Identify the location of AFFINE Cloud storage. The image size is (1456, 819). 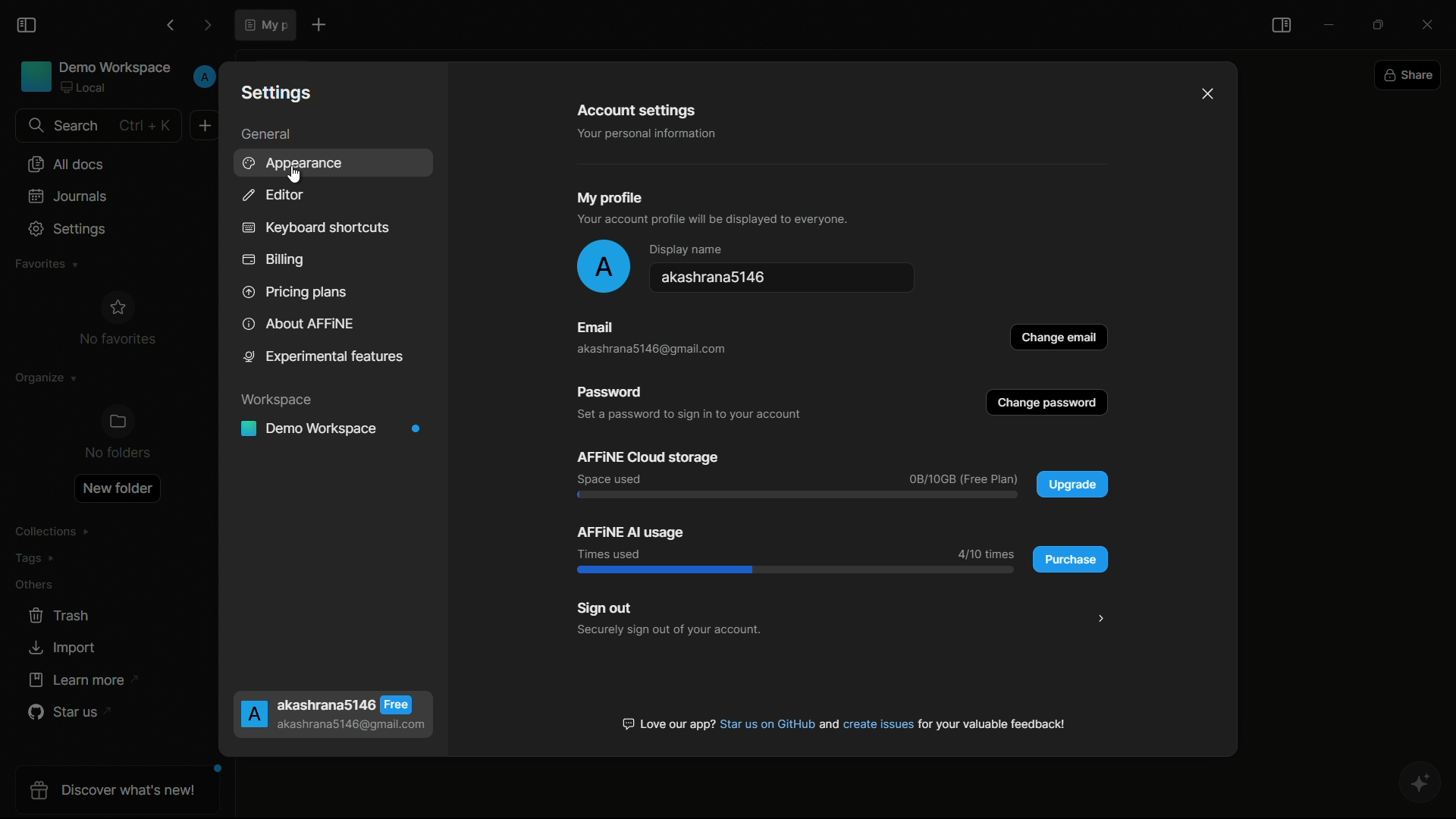
(648, 455).